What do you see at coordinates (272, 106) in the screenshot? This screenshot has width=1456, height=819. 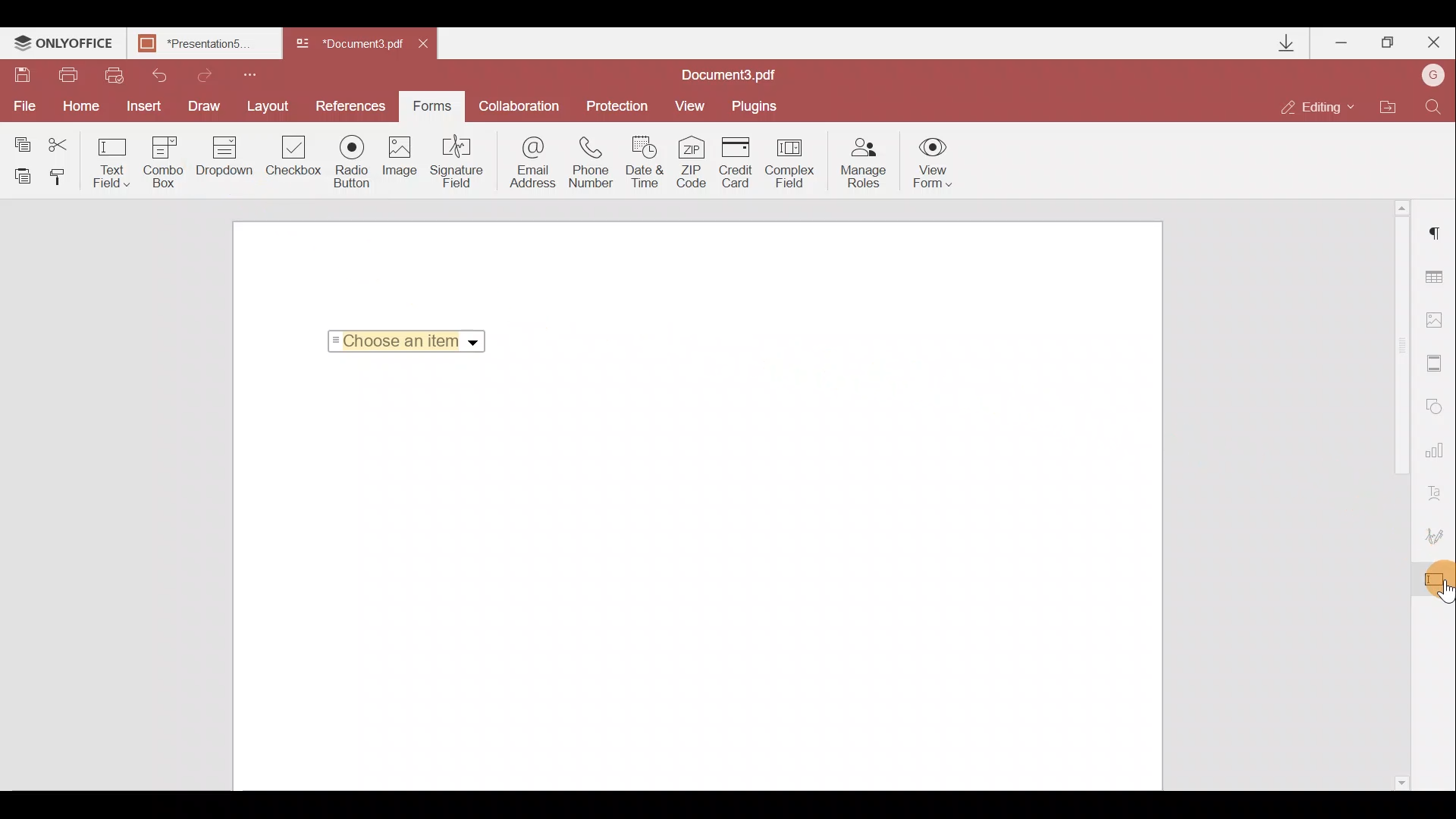 I see `Layout` at bounding box center [272, 106].